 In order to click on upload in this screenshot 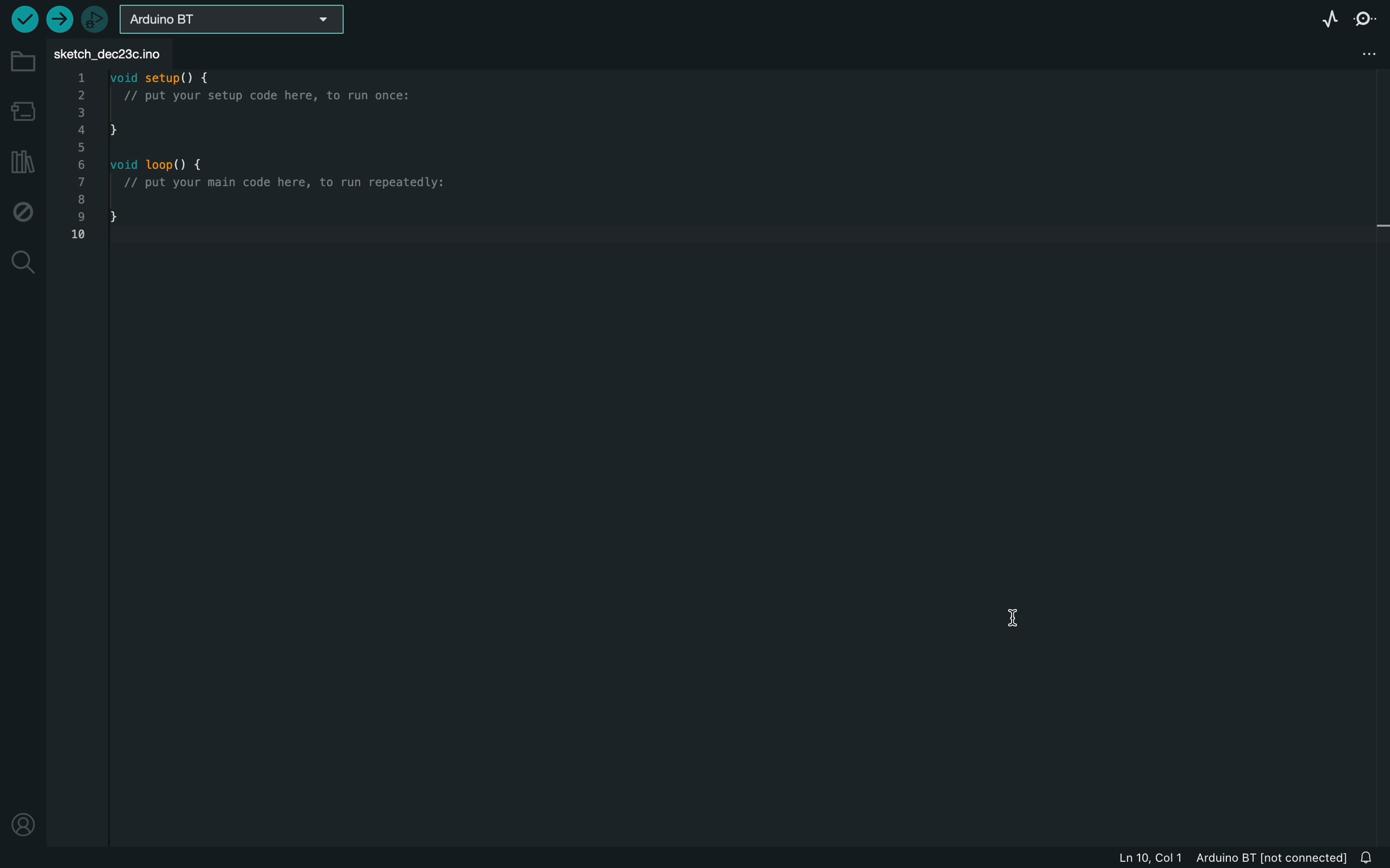, I will do `click(58, 19)`.